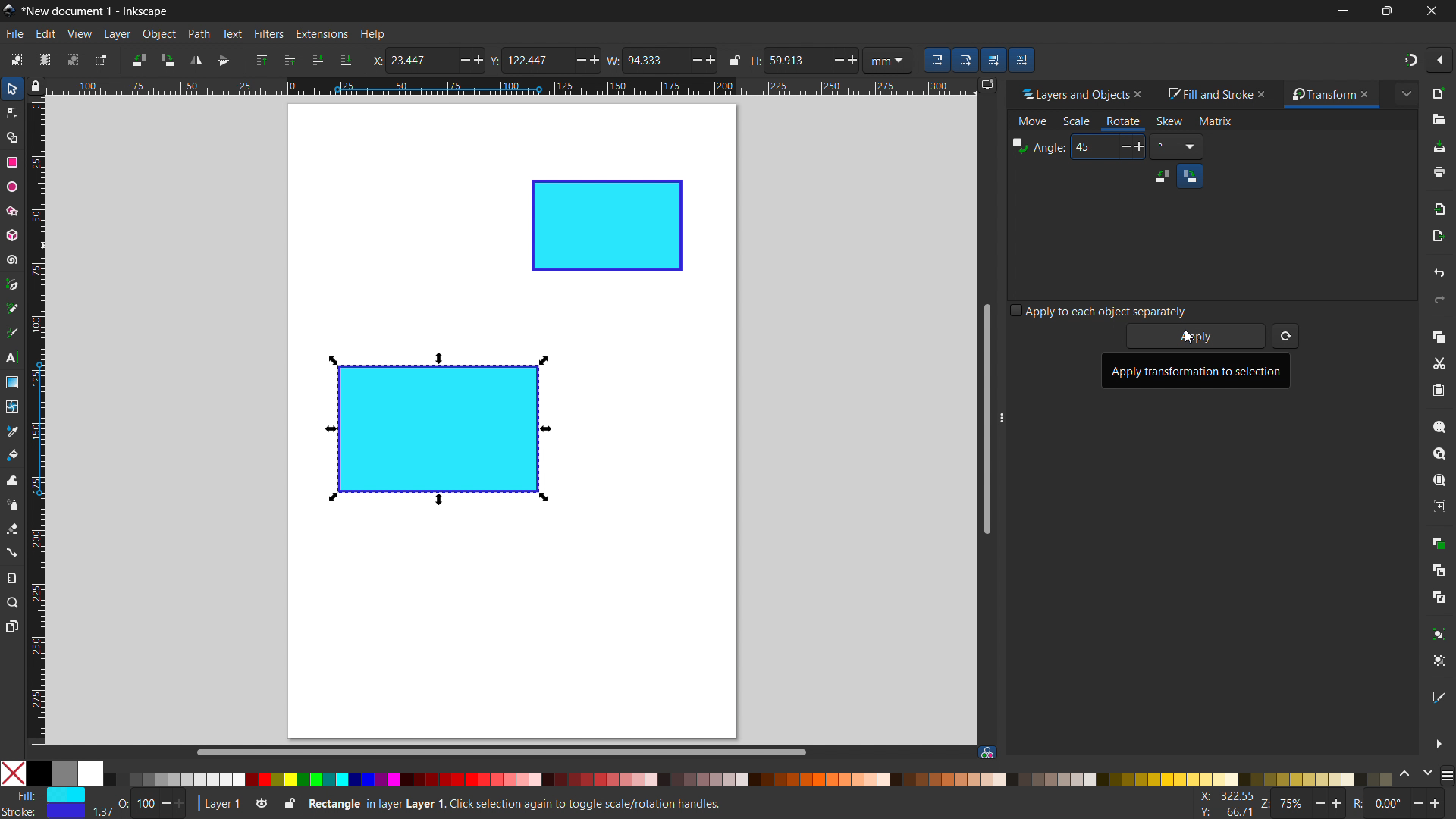  What do you see at coordinates (1439, 427) in the screenshot?
I see `zoom selection` at bounding box center [1439, 427].